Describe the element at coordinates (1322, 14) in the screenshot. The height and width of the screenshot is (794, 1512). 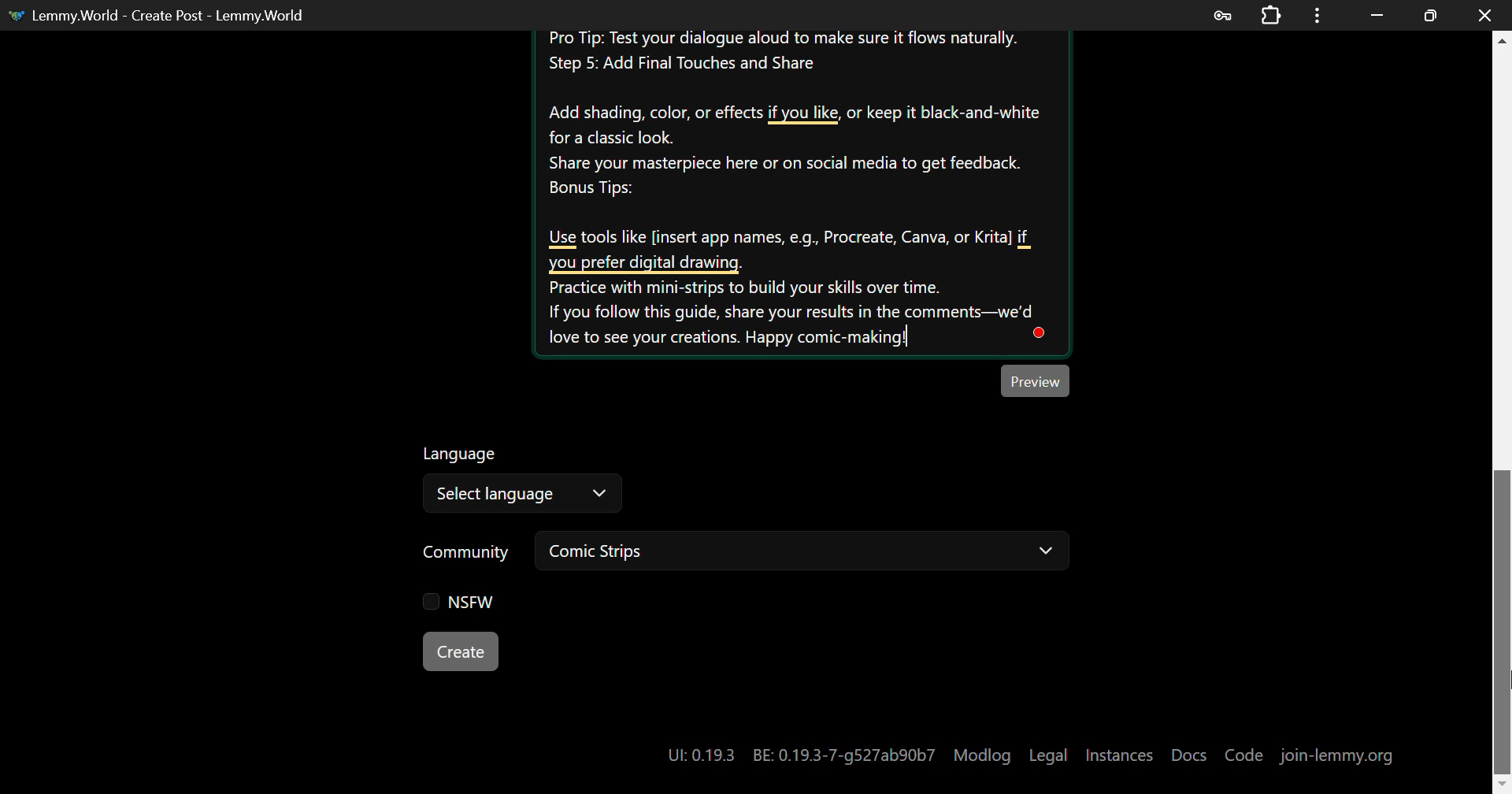
I see `Menu` at that location.